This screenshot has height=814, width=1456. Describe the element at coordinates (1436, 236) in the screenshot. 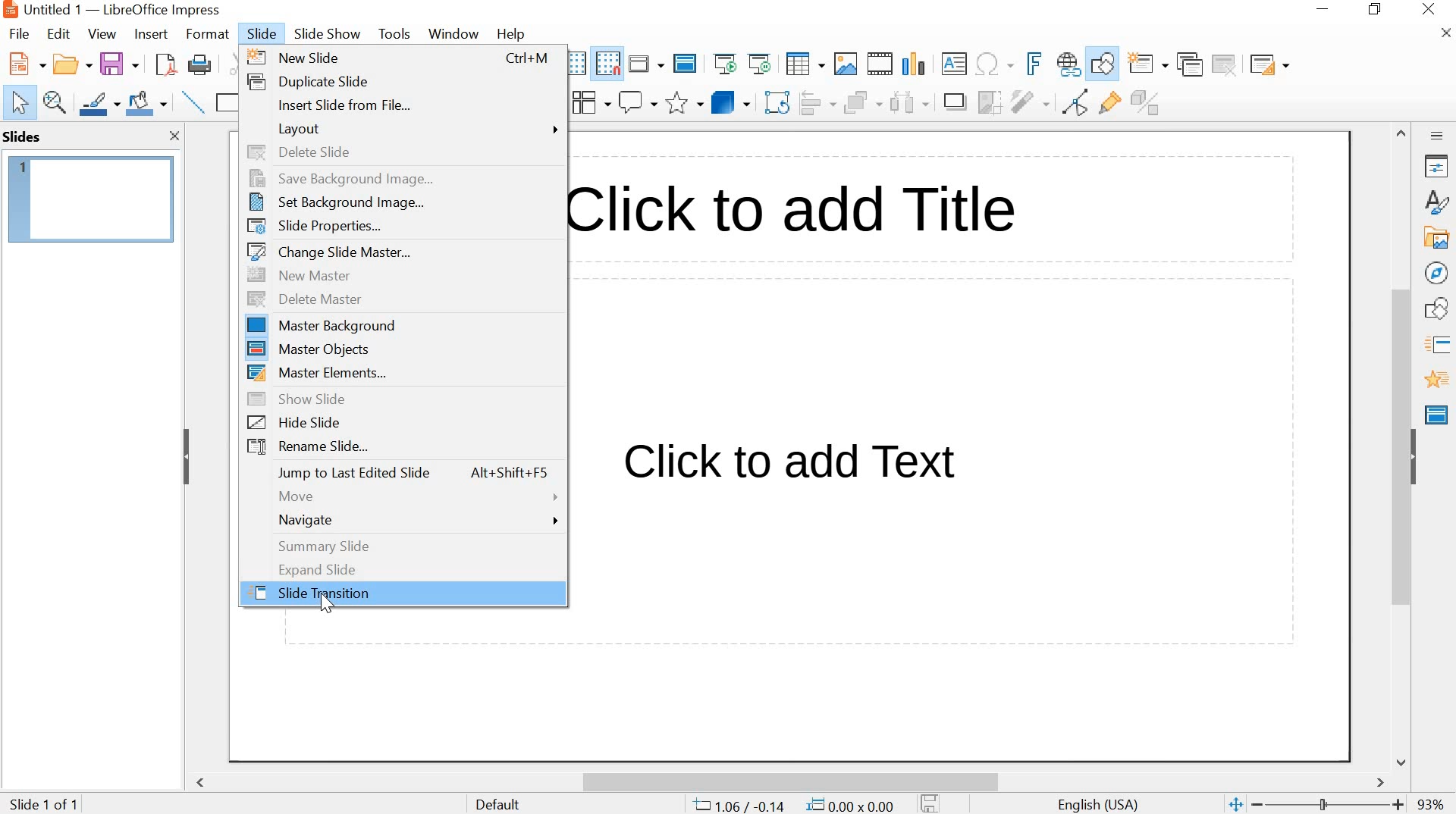

I see `GALLERY` at that location.